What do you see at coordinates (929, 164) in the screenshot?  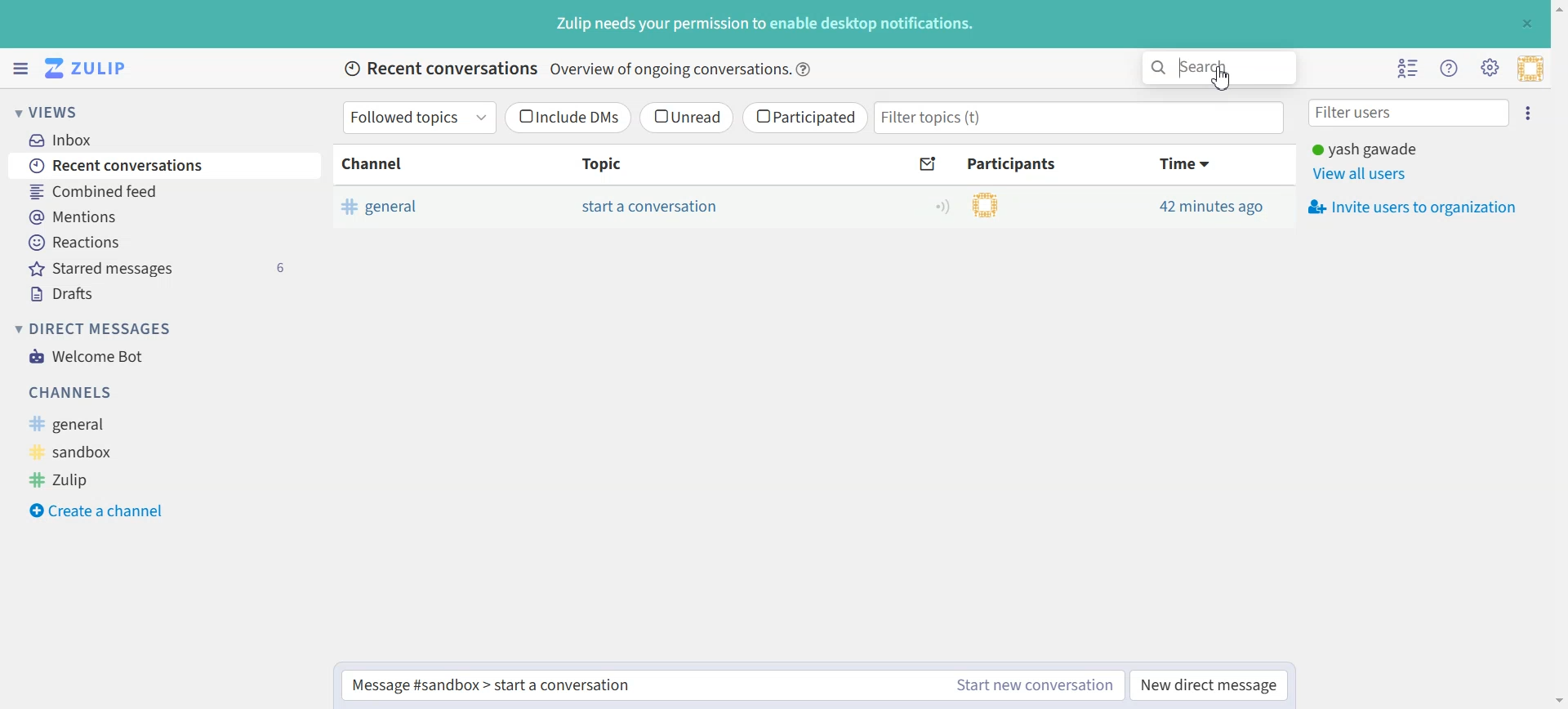 I see `Sort by unread messages count` at bounding box center [929, 164].